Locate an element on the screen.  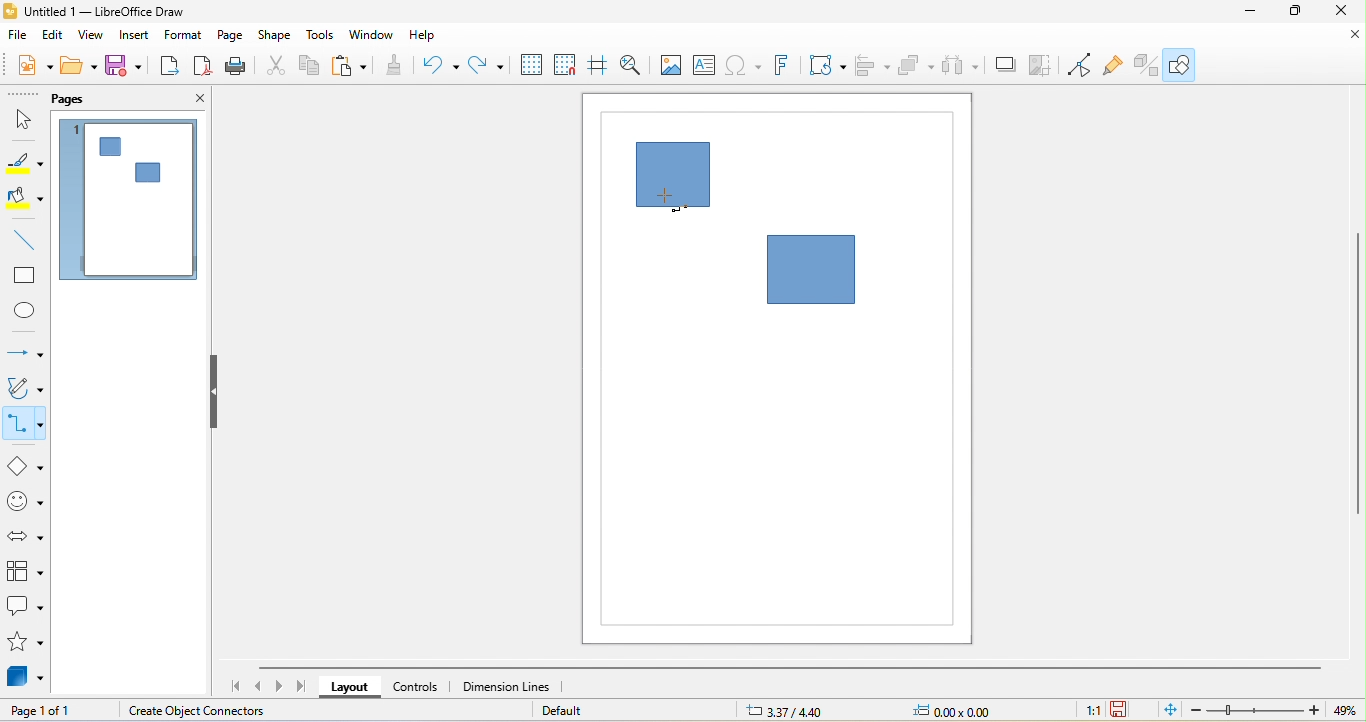
rectangle is located at coordinates (23, 273).